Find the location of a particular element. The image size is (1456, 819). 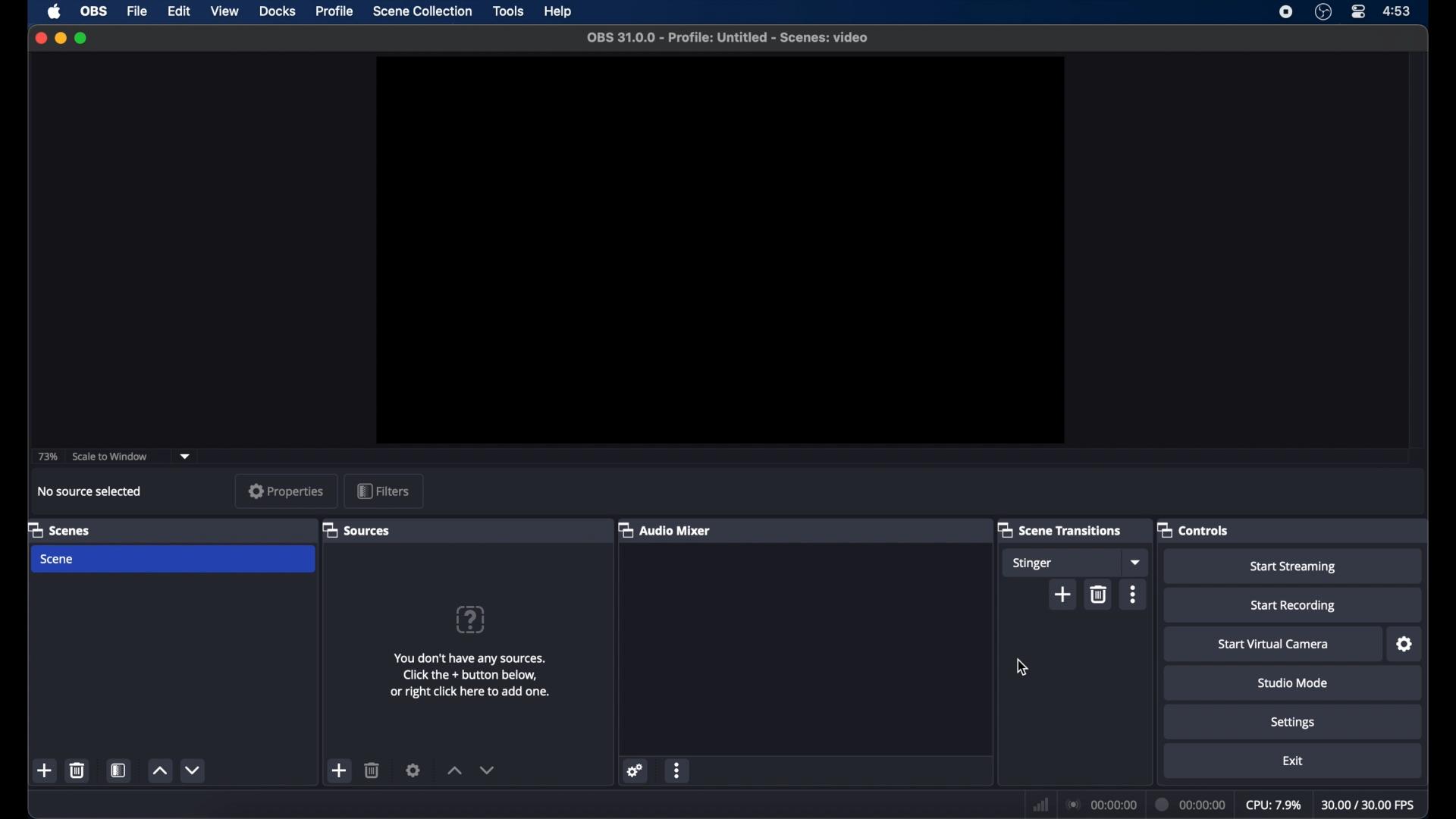

more options is located at coordinates (1136, 595).